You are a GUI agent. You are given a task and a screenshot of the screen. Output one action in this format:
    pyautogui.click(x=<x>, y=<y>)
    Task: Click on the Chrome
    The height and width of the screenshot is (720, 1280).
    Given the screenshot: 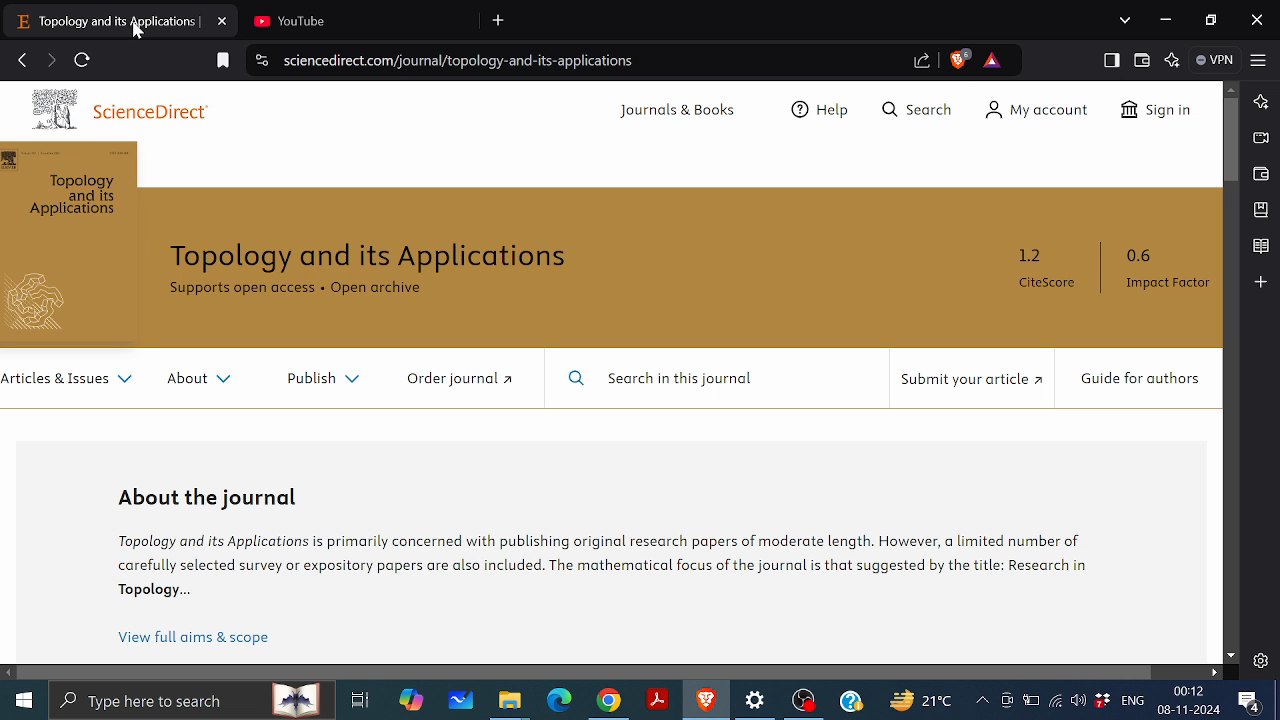 What is the action you would take?
    pyautogui.click(x=609, y=701)
    